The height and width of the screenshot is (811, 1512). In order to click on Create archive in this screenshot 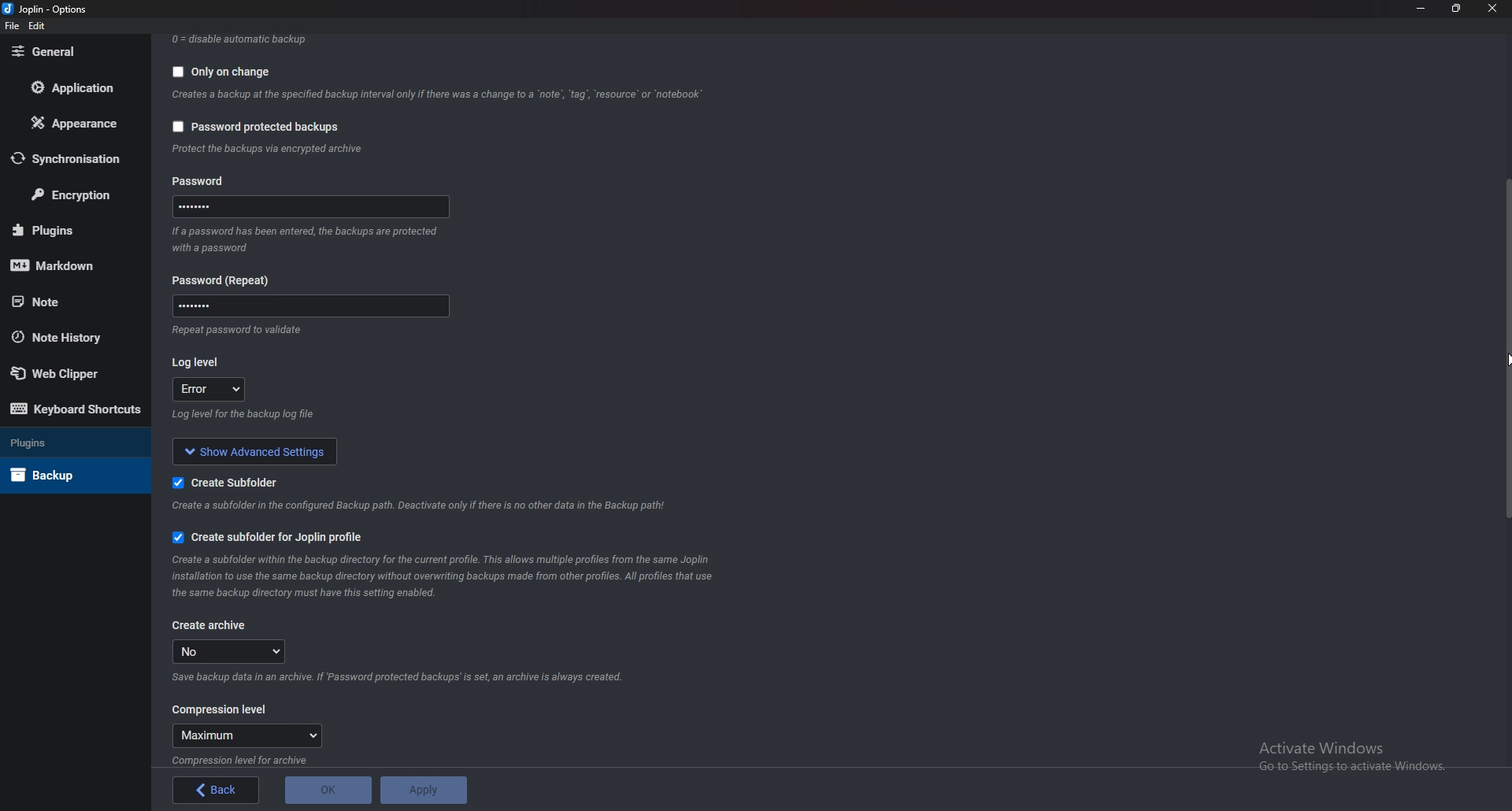, I will do `click(214, 625)`.